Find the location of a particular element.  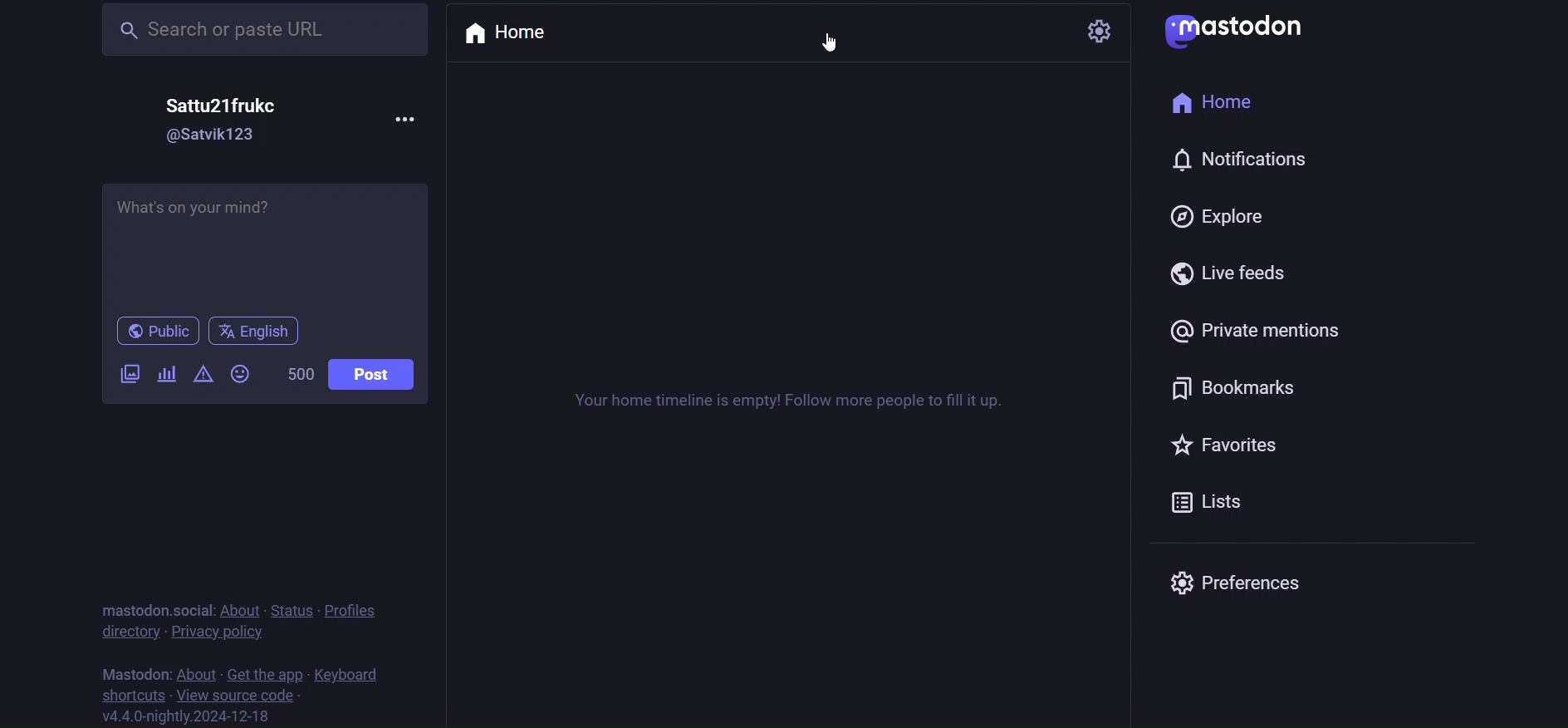

name is located at coordinates (223, 104).